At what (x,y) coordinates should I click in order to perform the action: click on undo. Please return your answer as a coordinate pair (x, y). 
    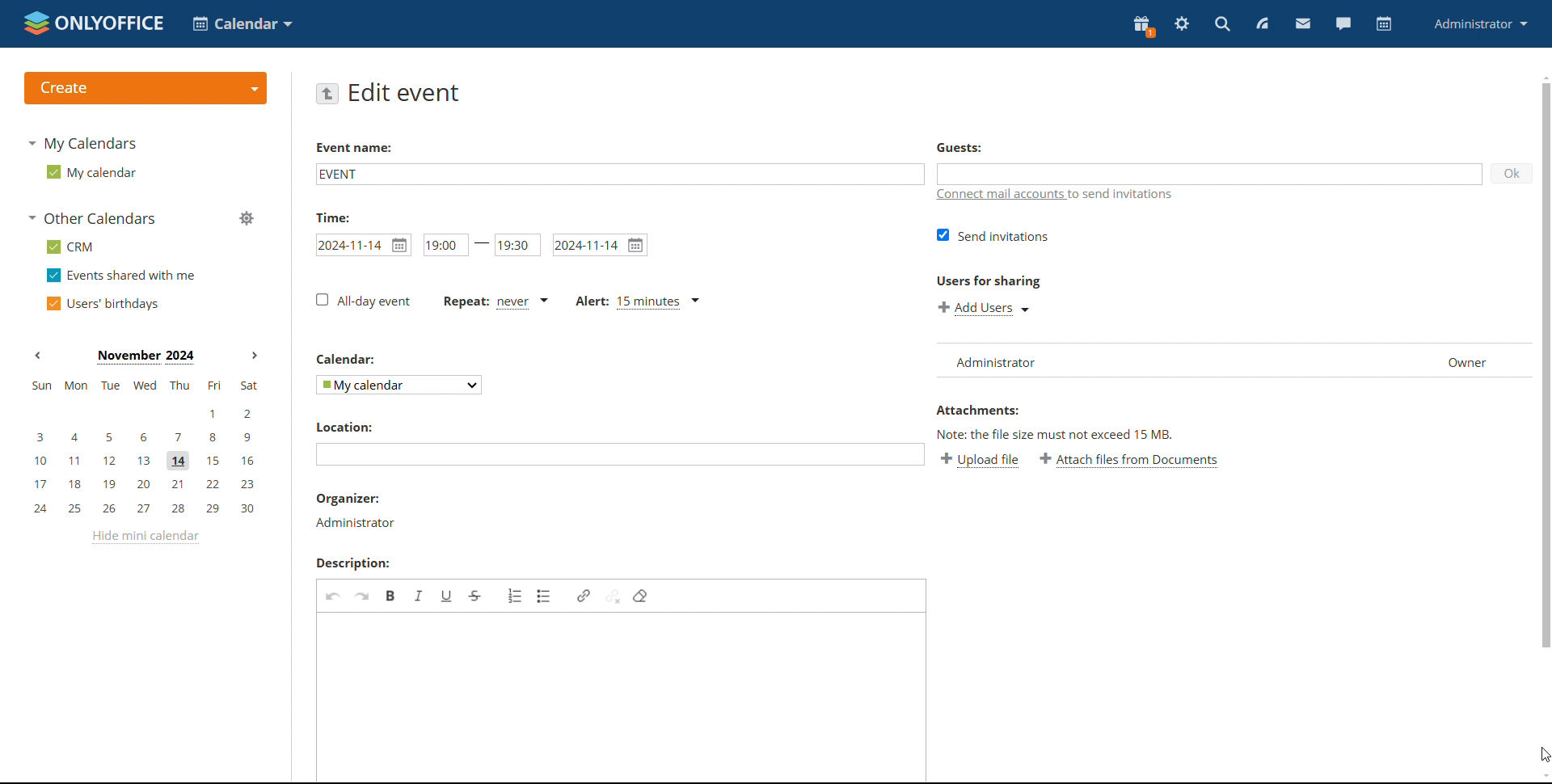
    Looking at the image, I should click on (334, 595).